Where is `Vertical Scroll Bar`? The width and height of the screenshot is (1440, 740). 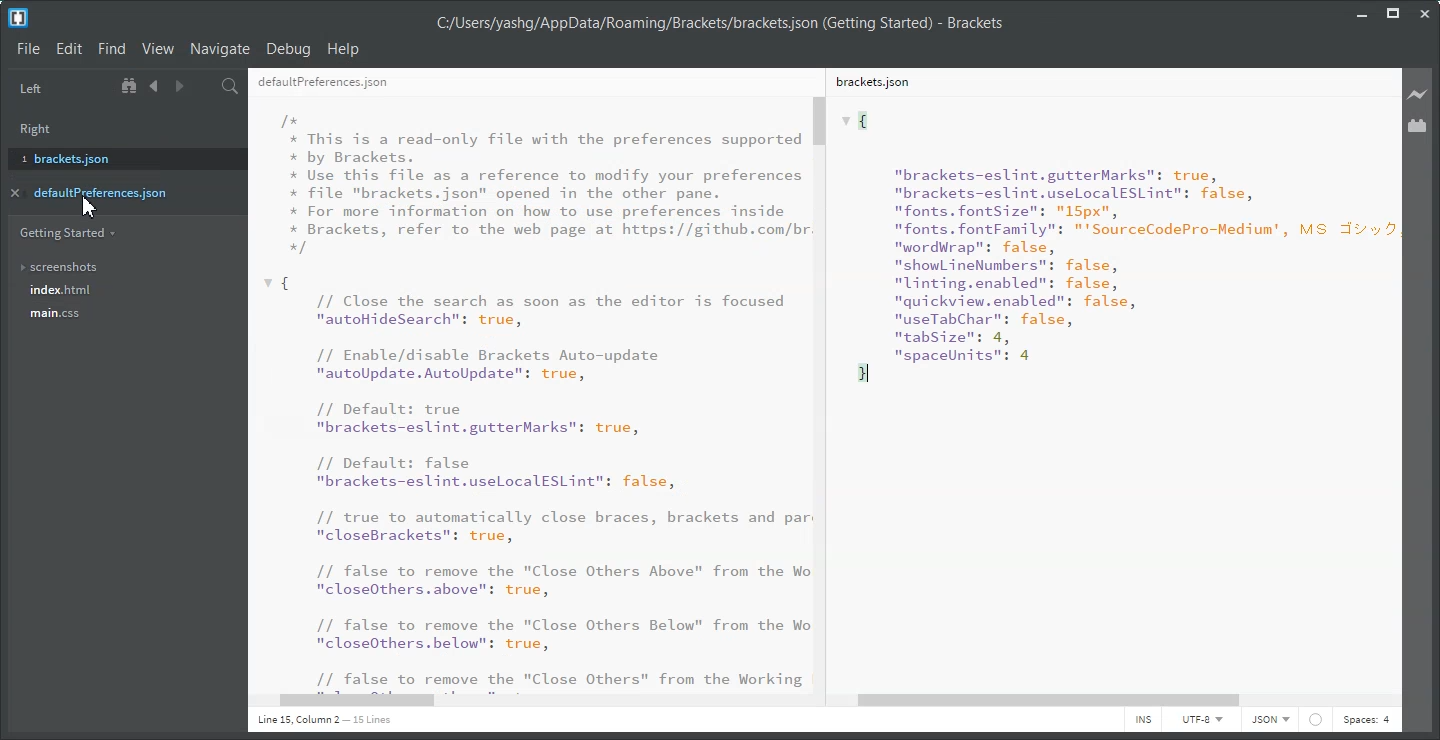
Vertical Scroll Bar is located at coordinates (821, 392).